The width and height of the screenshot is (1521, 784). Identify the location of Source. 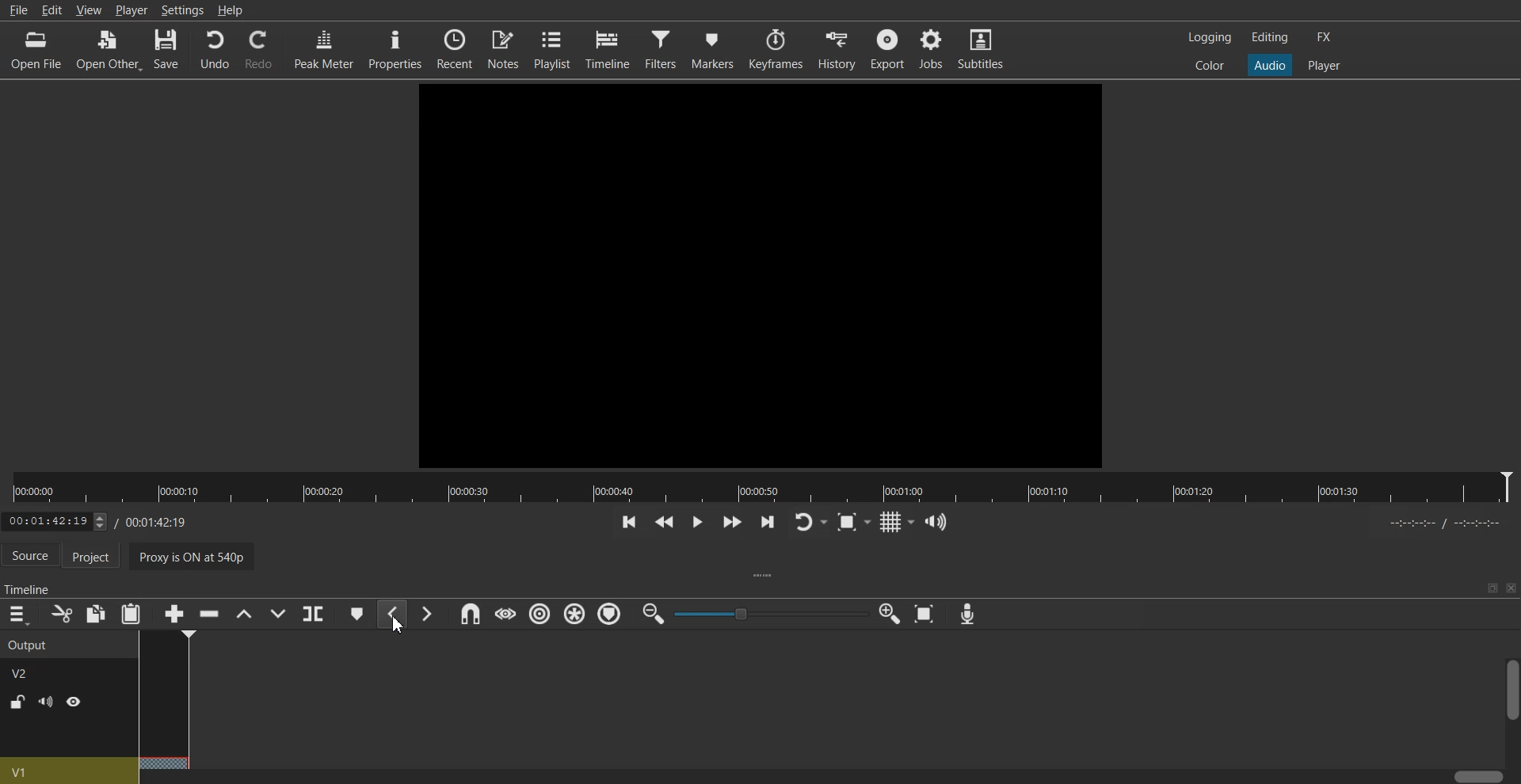
(29, 554).